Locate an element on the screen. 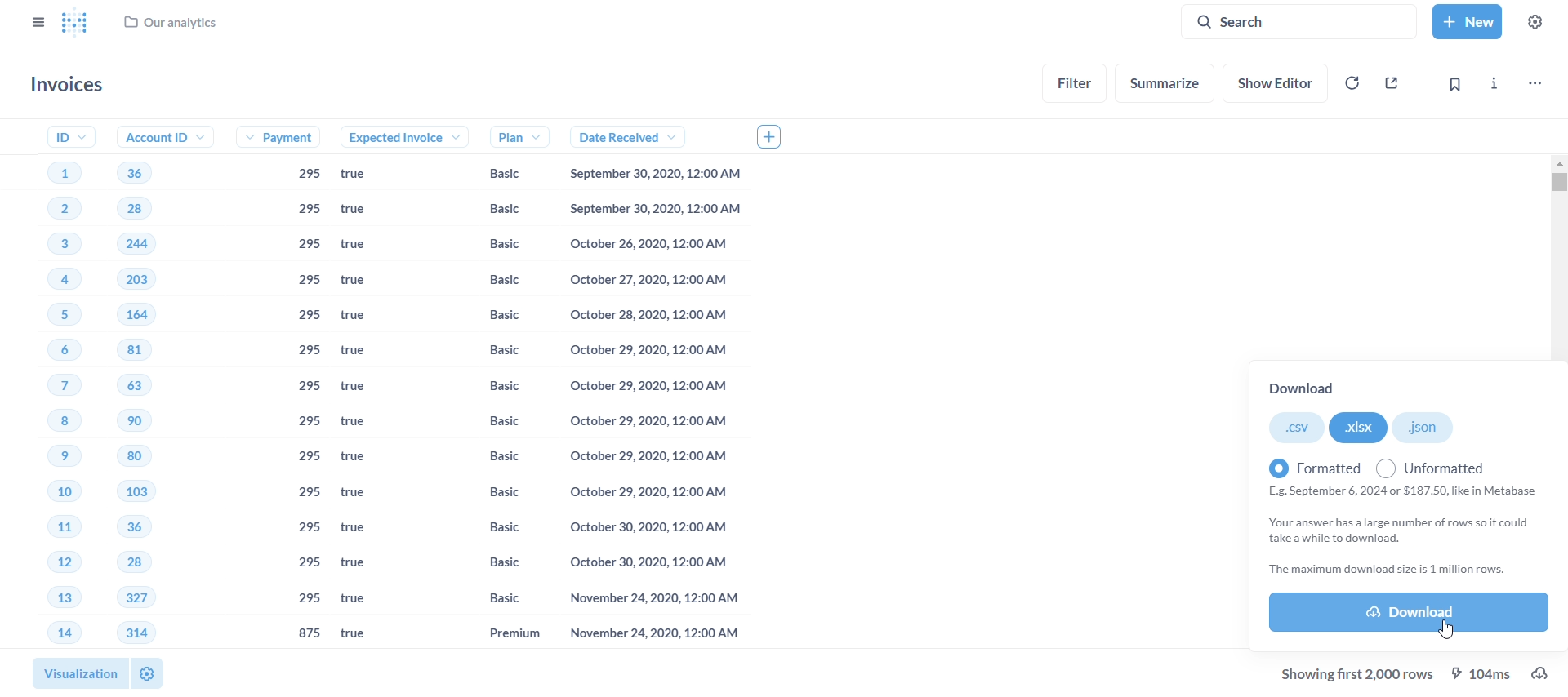 The height and width of the screenshot is (697, 1568). true is located at coordinates (365, 349).